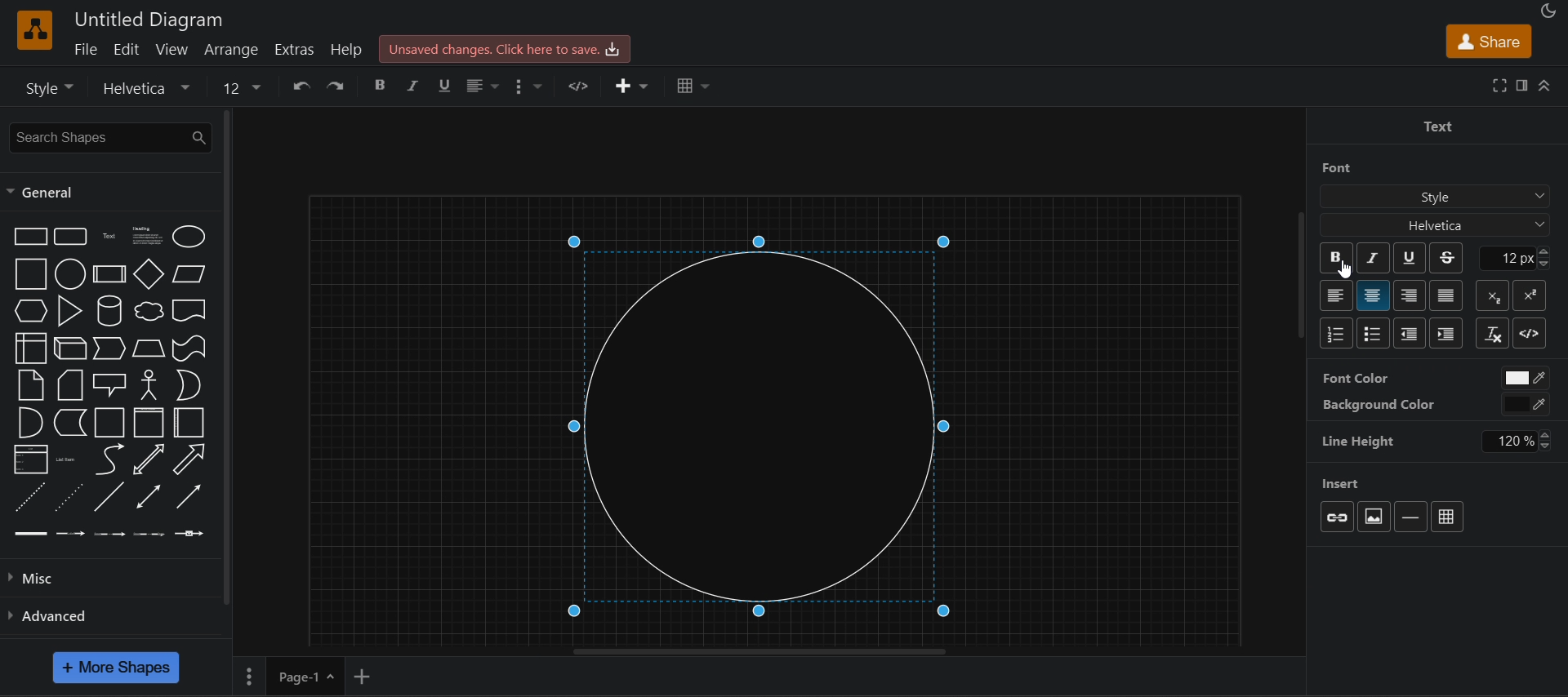 The image size is (1568, 697). I want to click on horizontal rule, so click(1410, 516).